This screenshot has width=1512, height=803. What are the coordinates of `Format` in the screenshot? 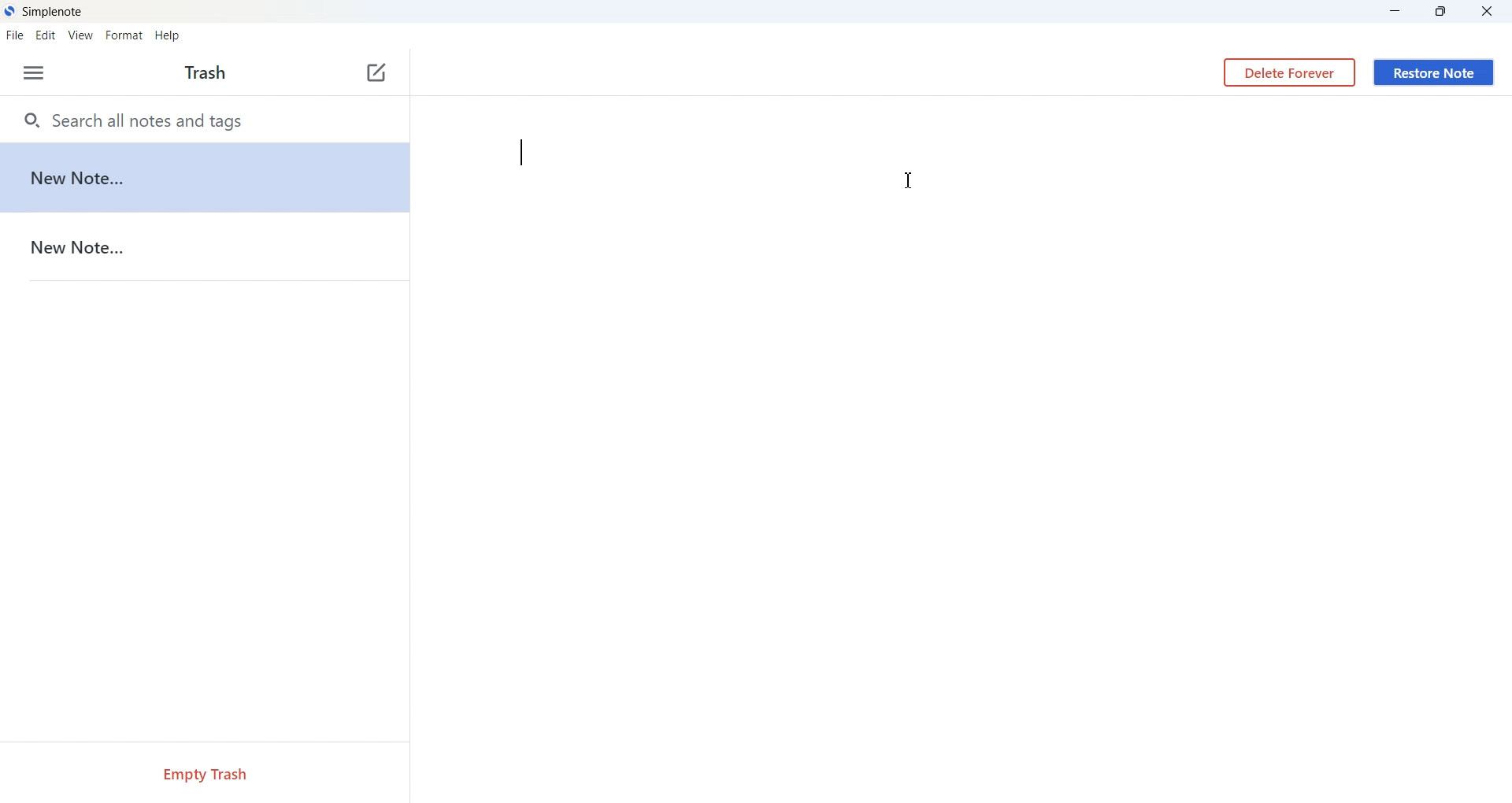 It's located at (124, 34).